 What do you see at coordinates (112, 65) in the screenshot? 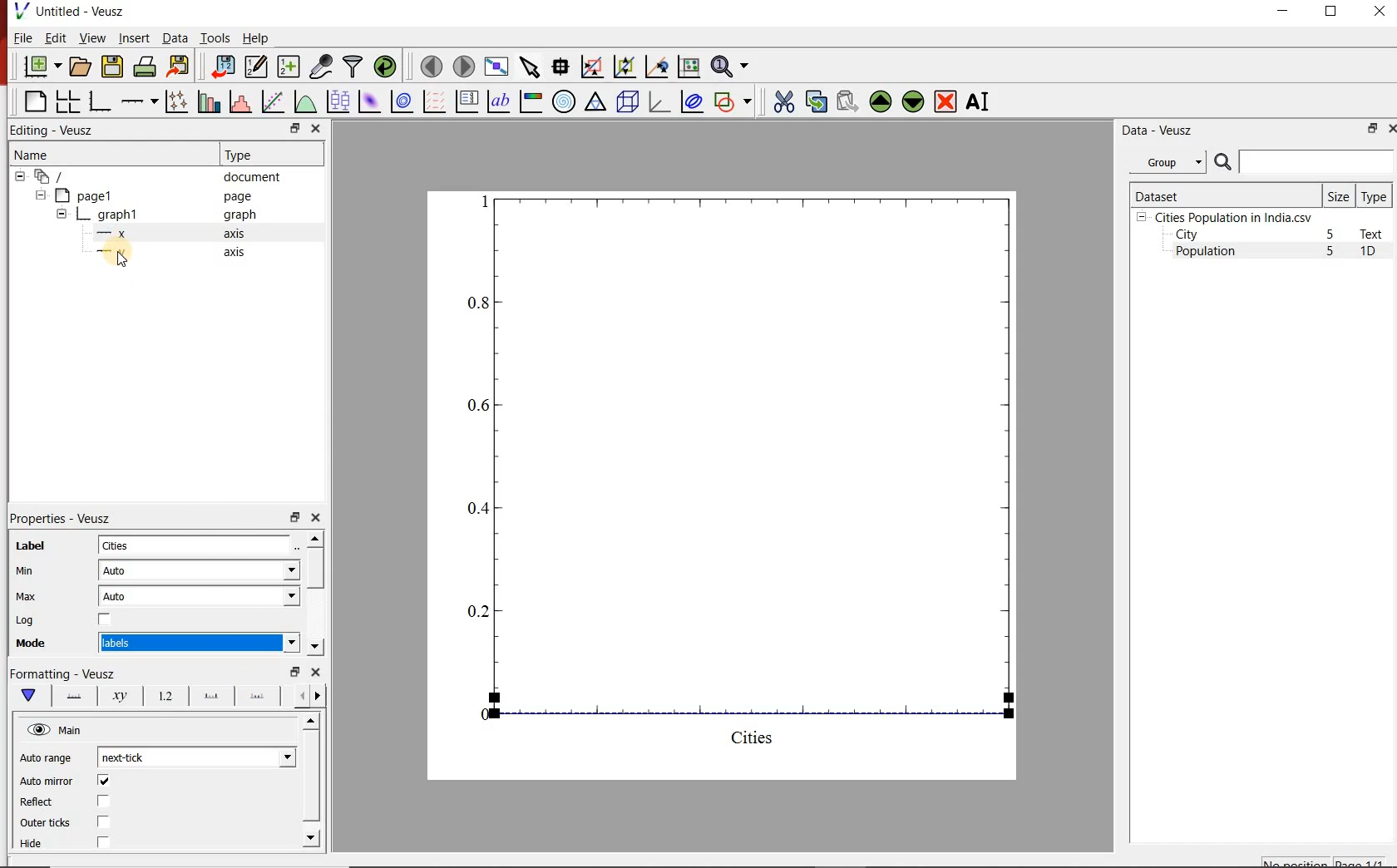
I see `save the document` at bounding box center [112, 65].